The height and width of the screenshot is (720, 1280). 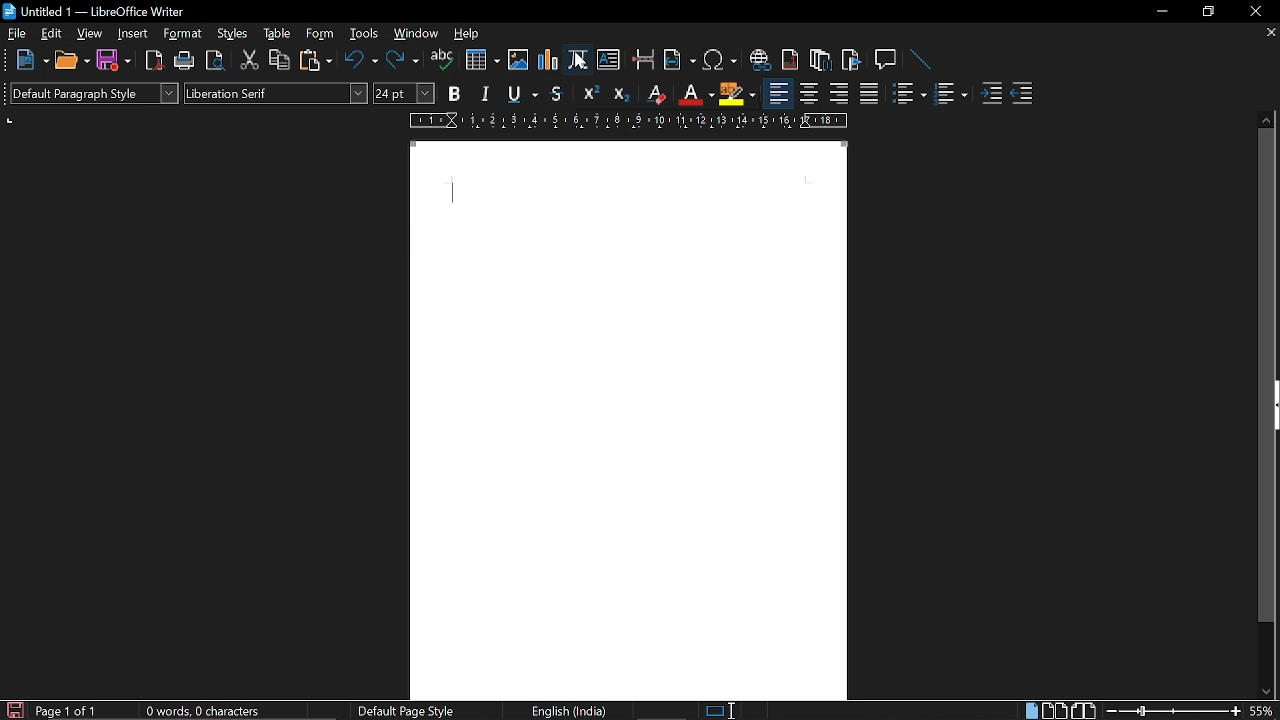 I want to click on page 1 of 1, so click(x=68, y=711).